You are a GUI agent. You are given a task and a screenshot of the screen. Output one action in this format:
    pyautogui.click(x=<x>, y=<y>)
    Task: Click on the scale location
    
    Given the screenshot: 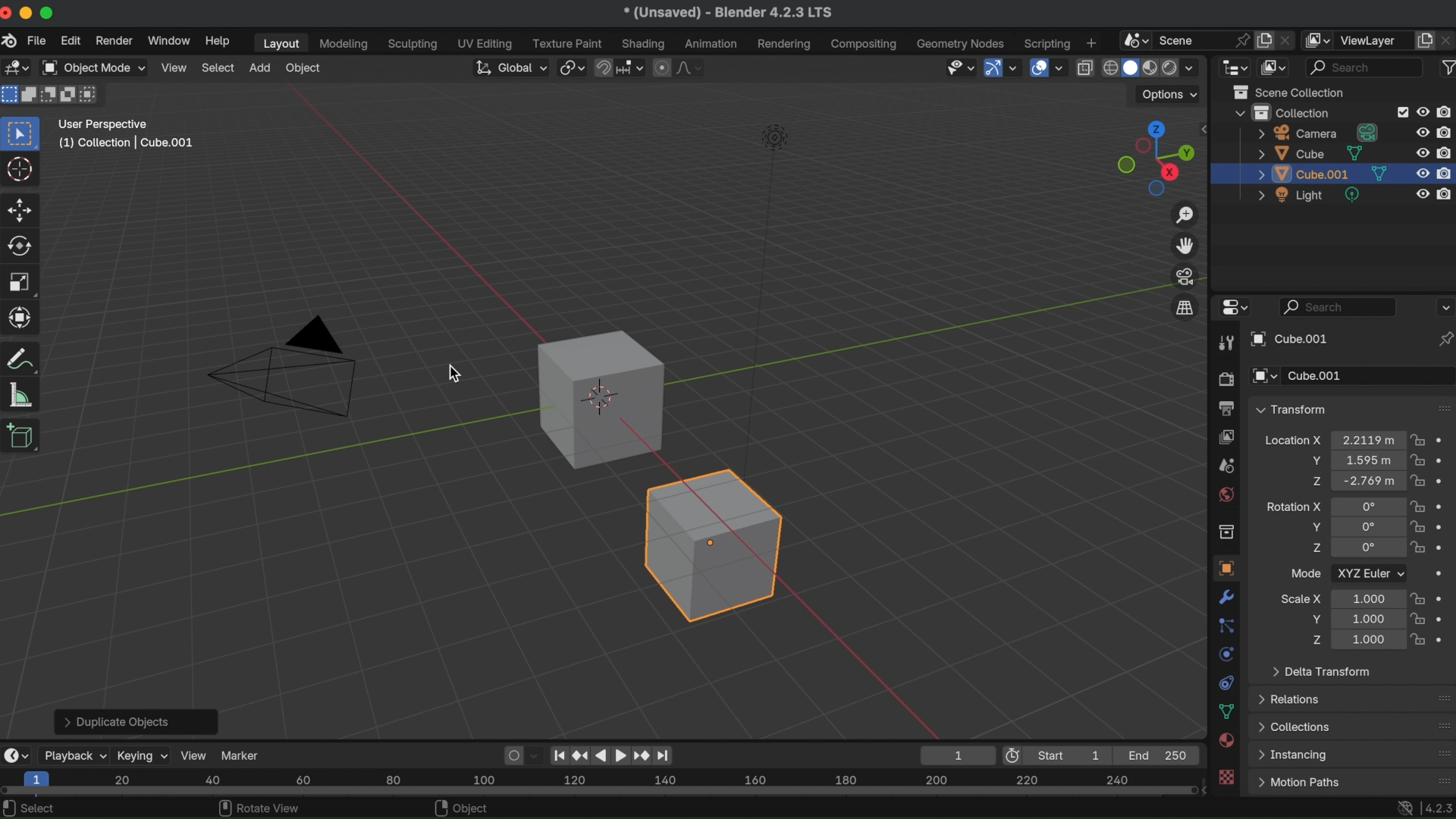 What is the action you would take?
    pyautogui.click(x=1366, y=640)
    